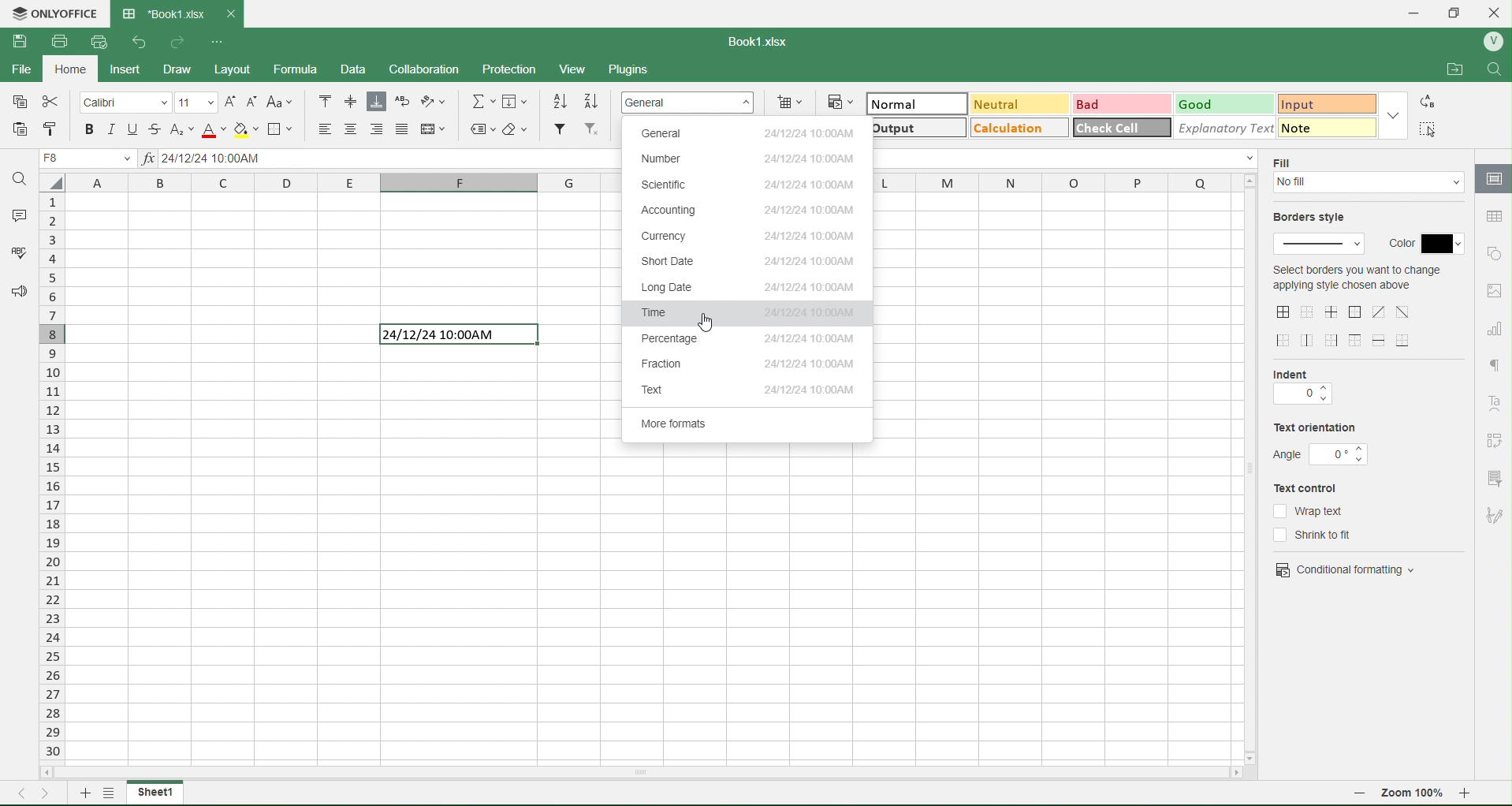  Describe the element at coordinates (691, 101) in the screenshot. I see `Number Format` at that location.